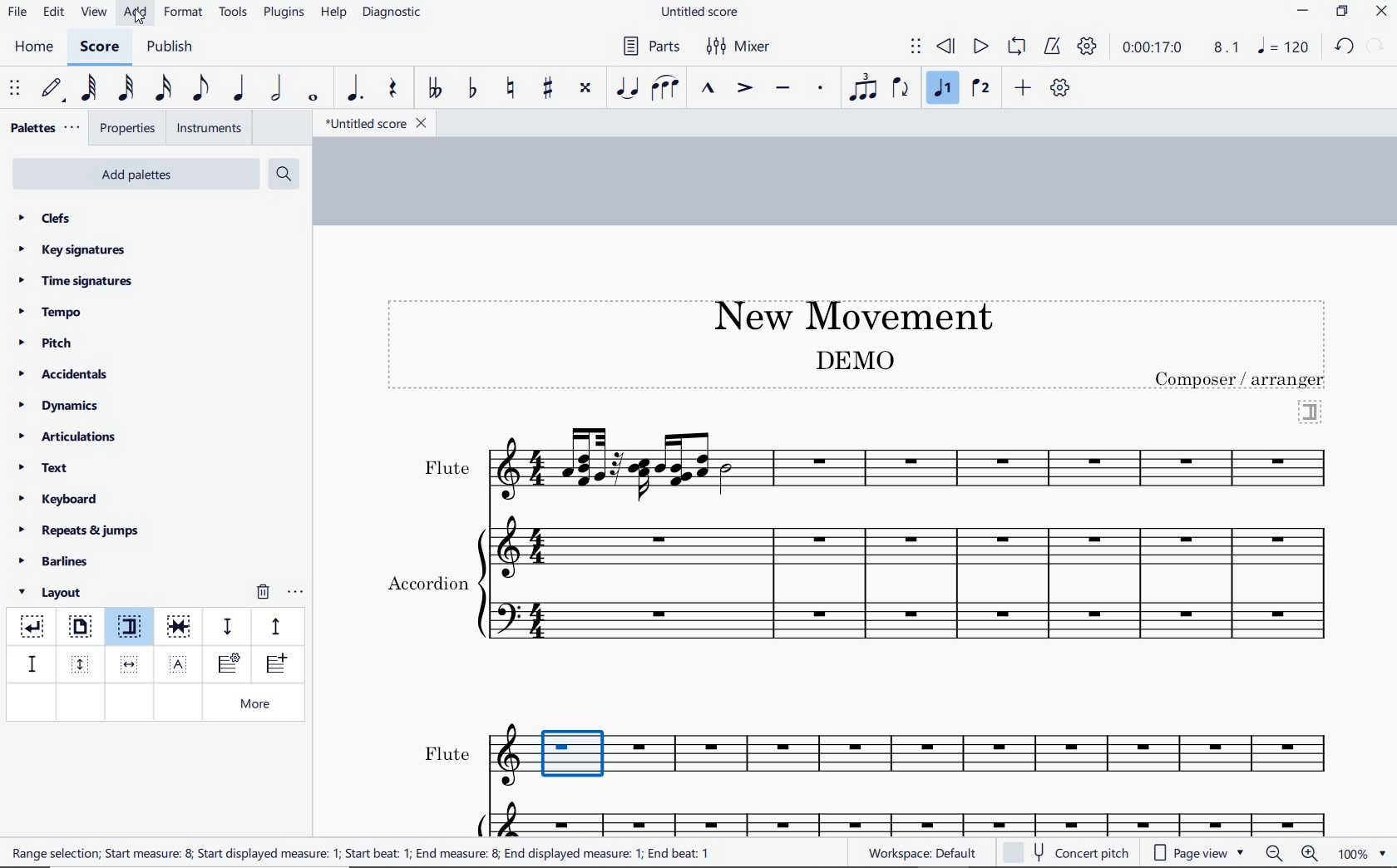 The width and height of the screenshot is (1397, 868). What do you see at coordinates (427, 580) in the screenshot?
I see `text` at bounding box center [427, 580].